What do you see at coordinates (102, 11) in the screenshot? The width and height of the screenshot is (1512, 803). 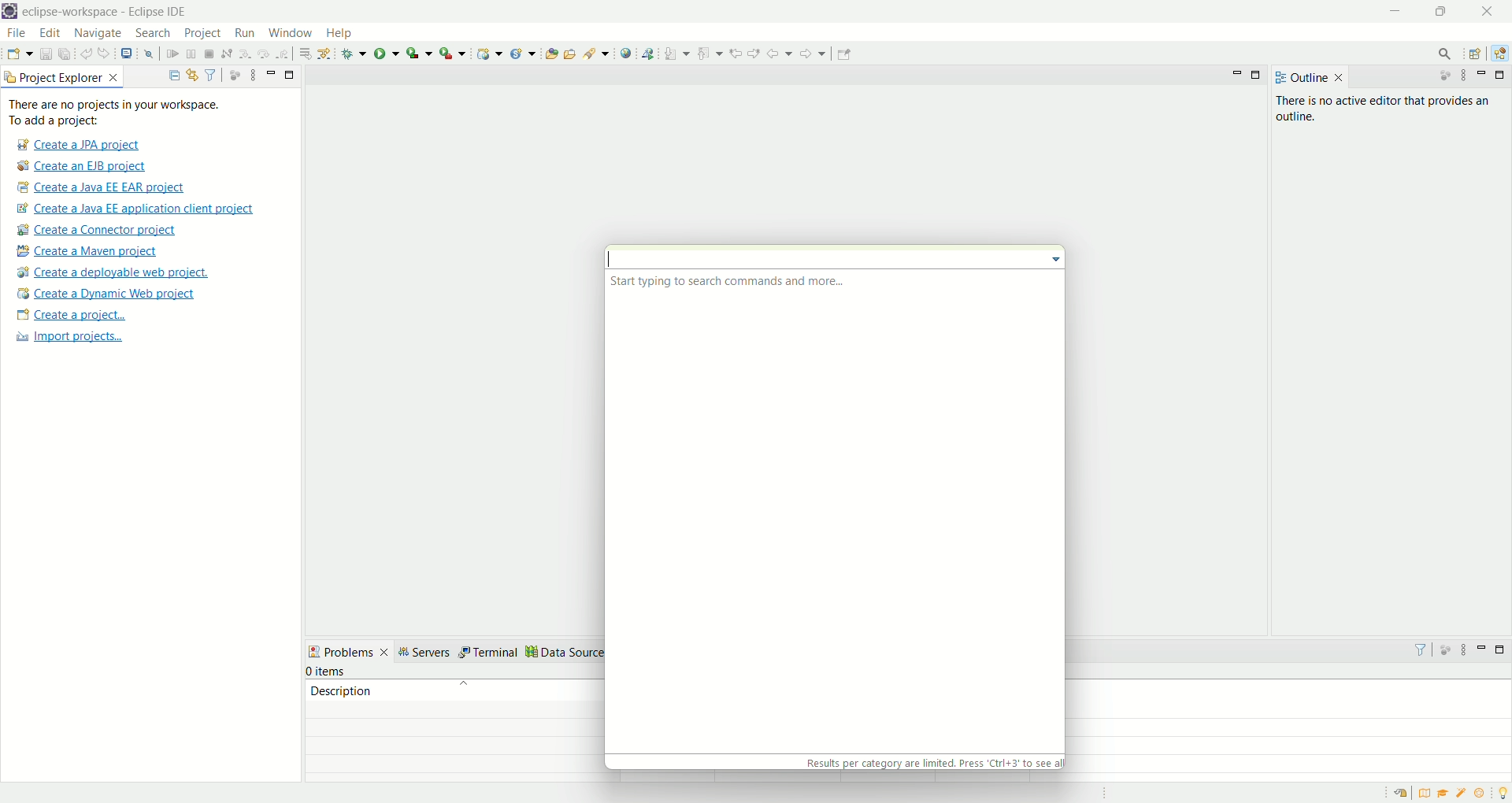 I see `eclipse-workspace-Eclipse IDE` at bounding box center [102, 11].